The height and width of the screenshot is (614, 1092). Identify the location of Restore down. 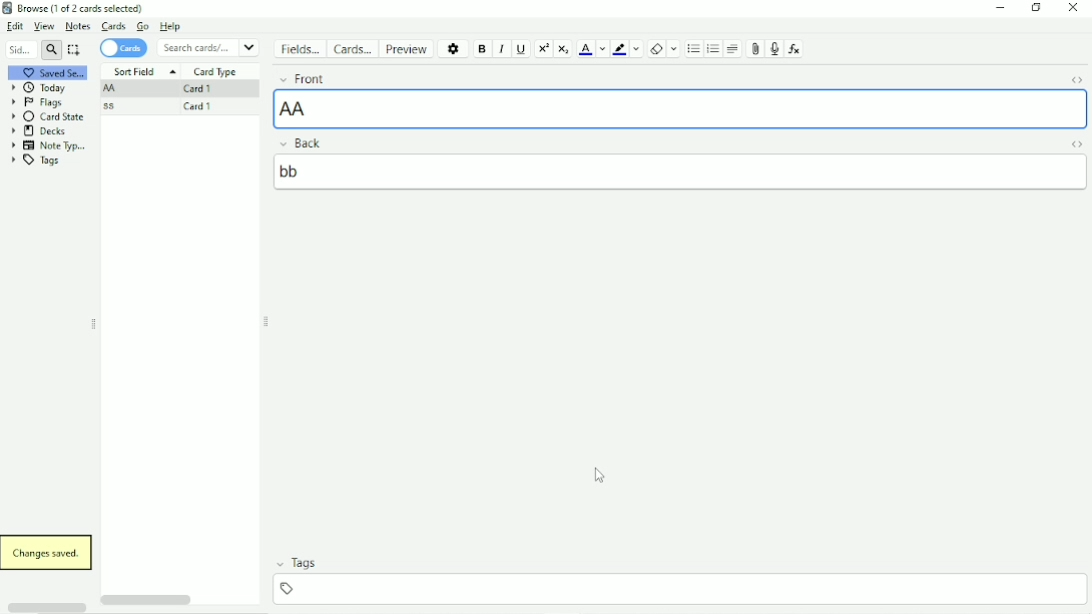
(1037, 9).